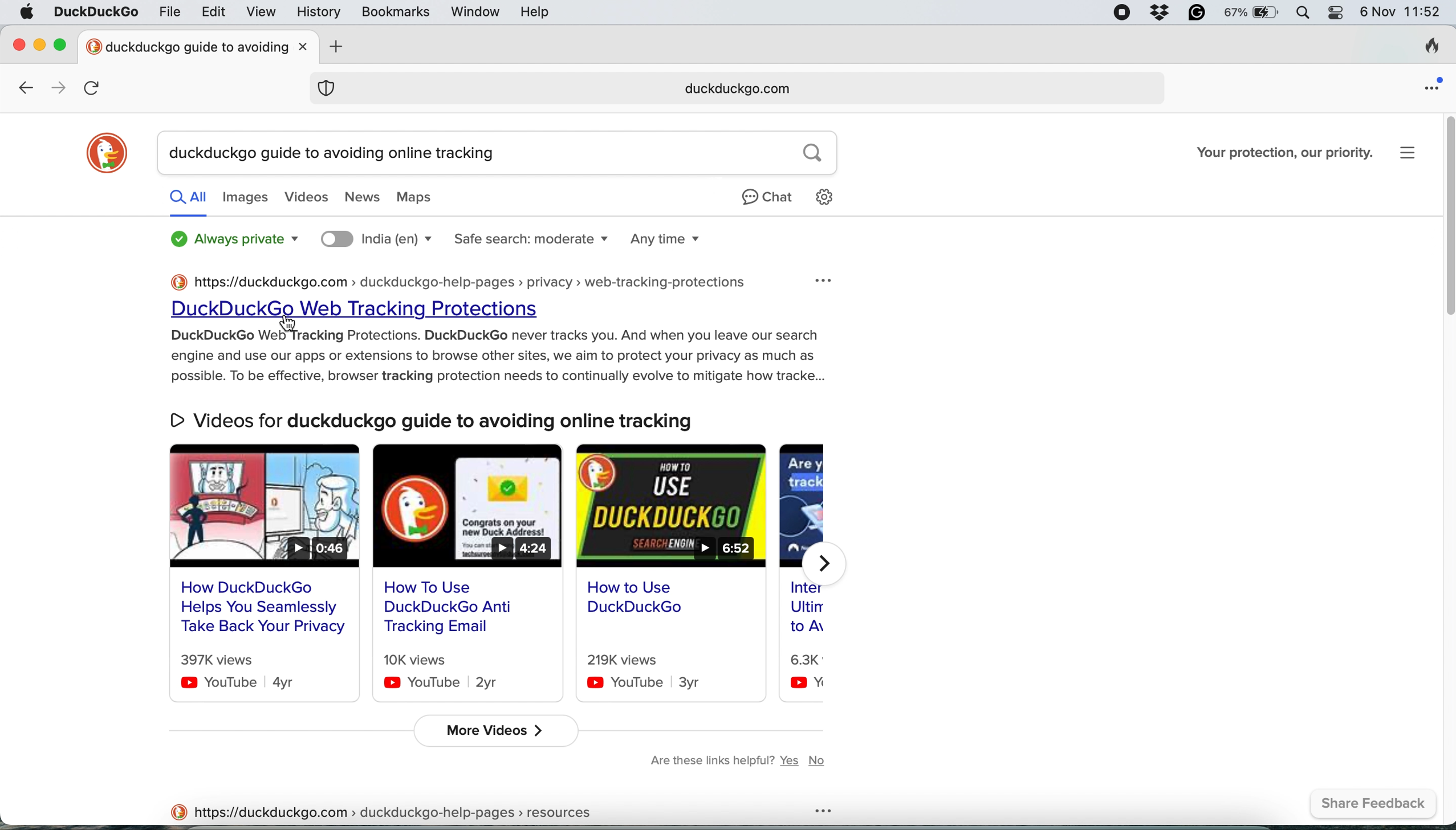 The width and height of the screenshot is (1456, 830). Describe the element at coordinates (1431, 87) in the screenshot. I see `open application menu` at that location.